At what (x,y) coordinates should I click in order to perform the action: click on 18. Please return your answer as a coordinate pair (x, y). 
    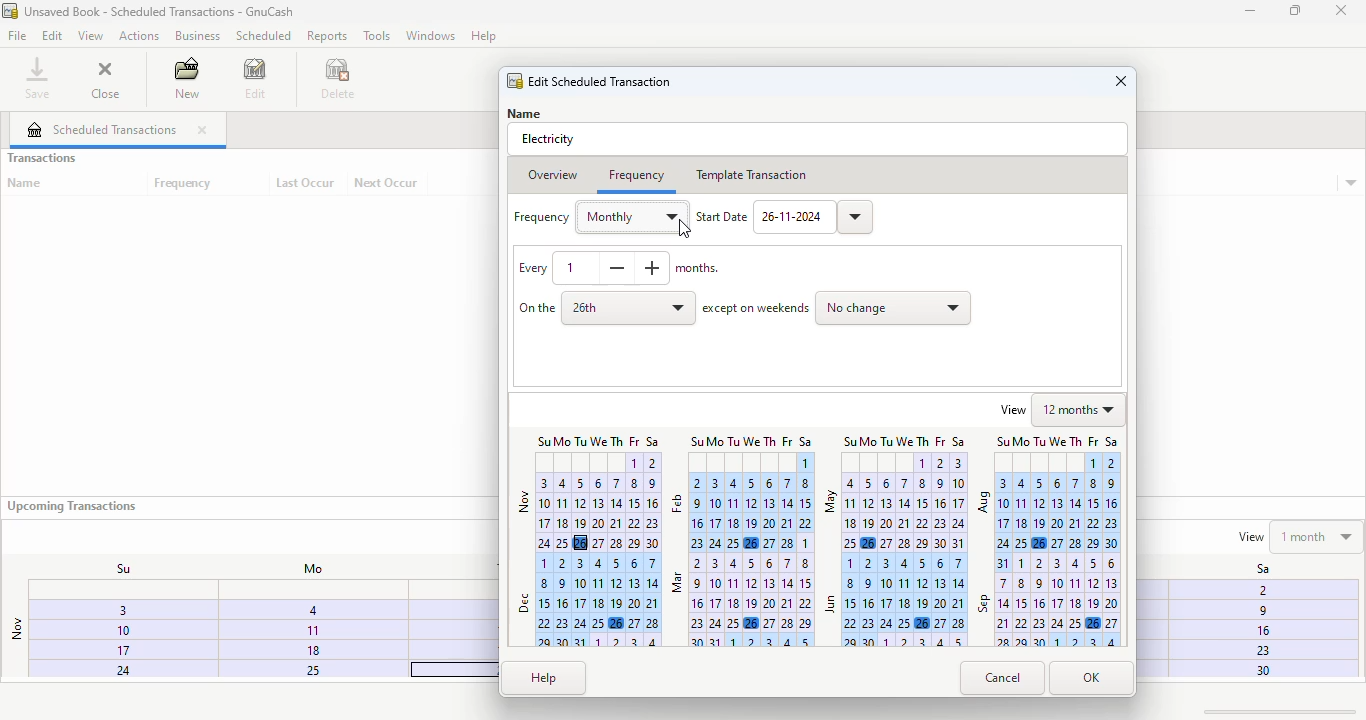
    Looking at the image, I should click on (313, 649).